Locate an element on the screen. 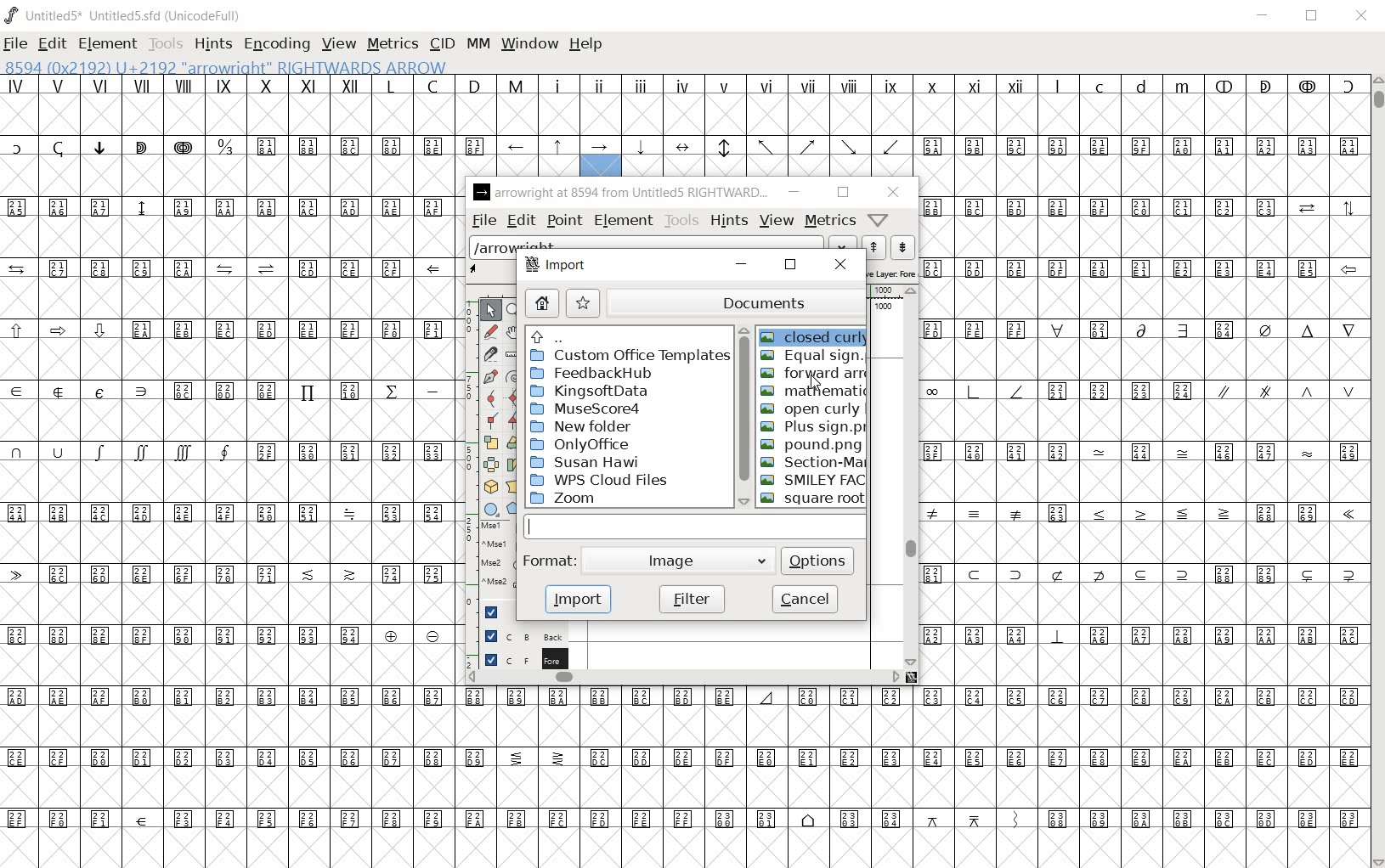  scrollbar is located at coordinates (684, 680).